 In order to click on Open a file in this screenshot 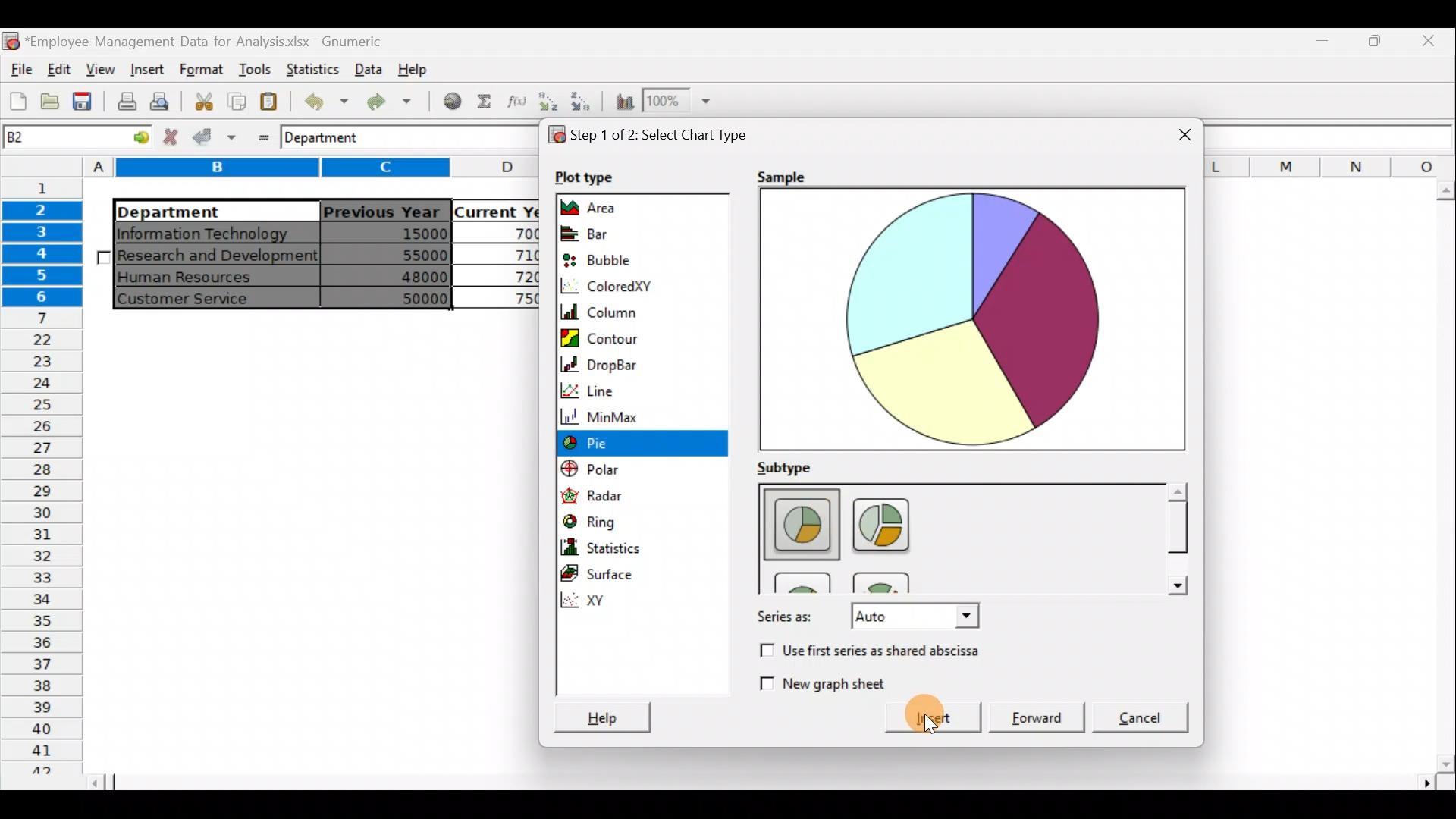, I will do `click(49, 104)`.